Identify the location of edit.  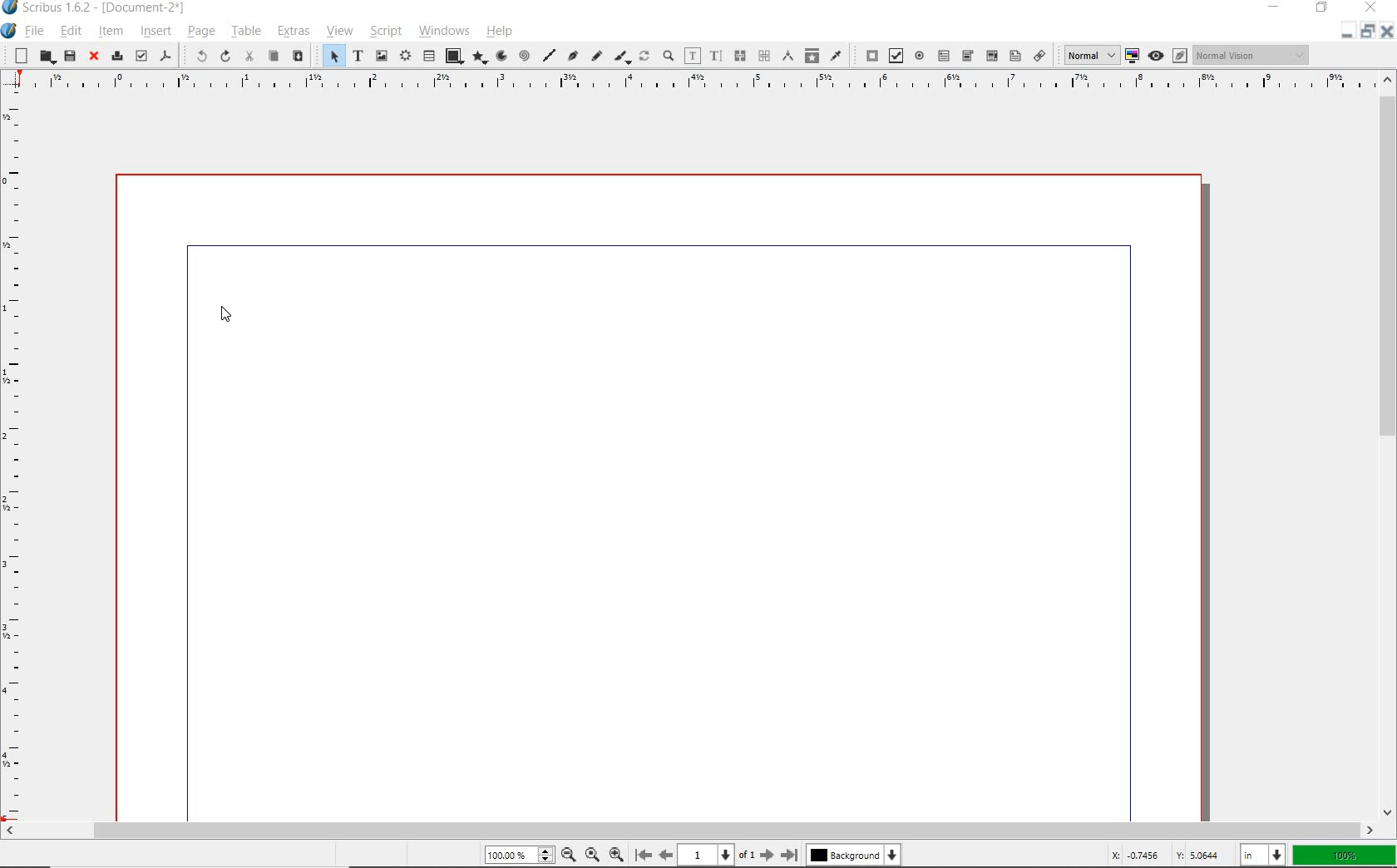
(72, 31).